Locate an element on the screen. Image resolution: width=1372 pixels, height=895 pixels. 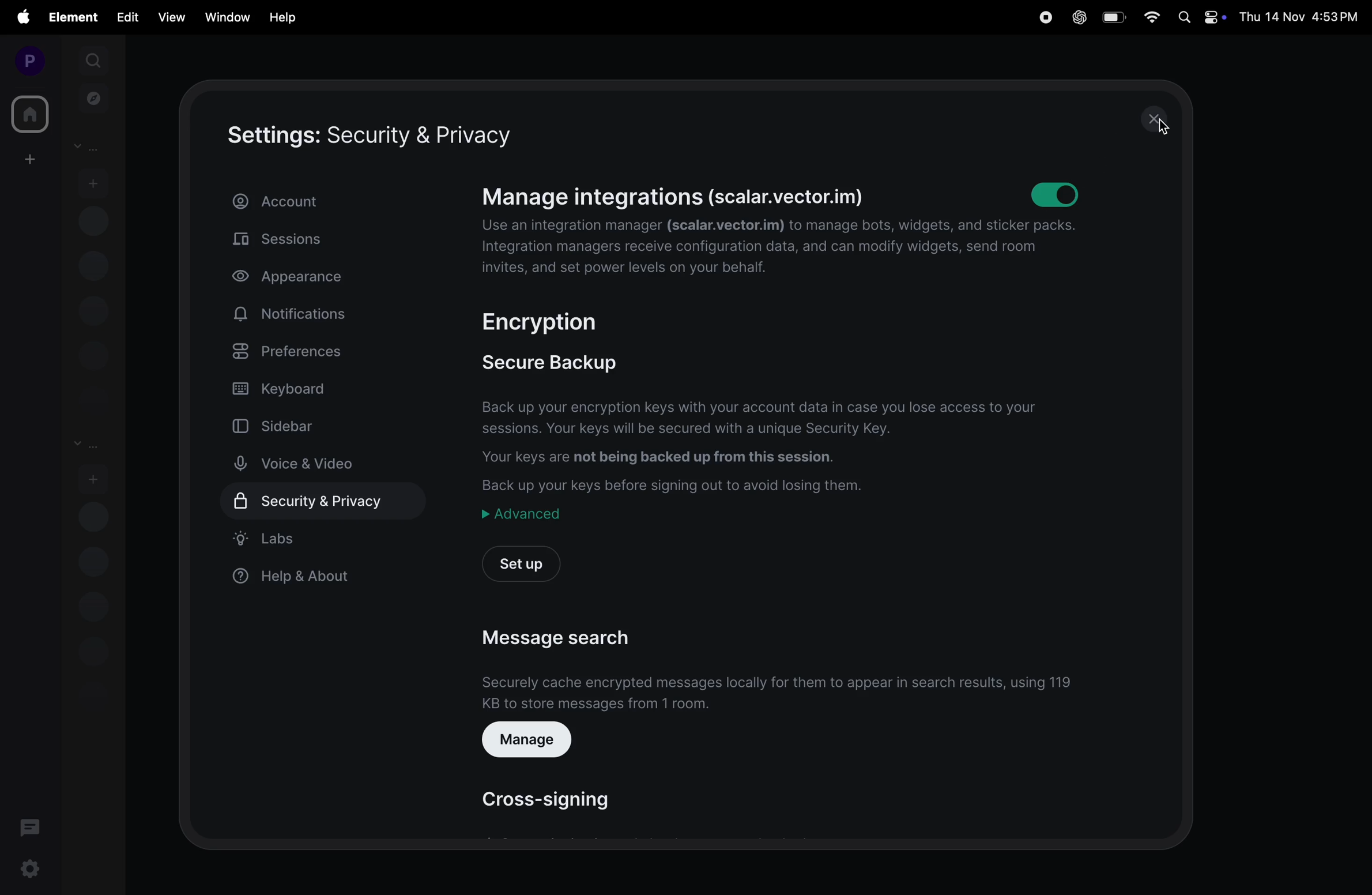
setup is located at coordinates (524, 562).